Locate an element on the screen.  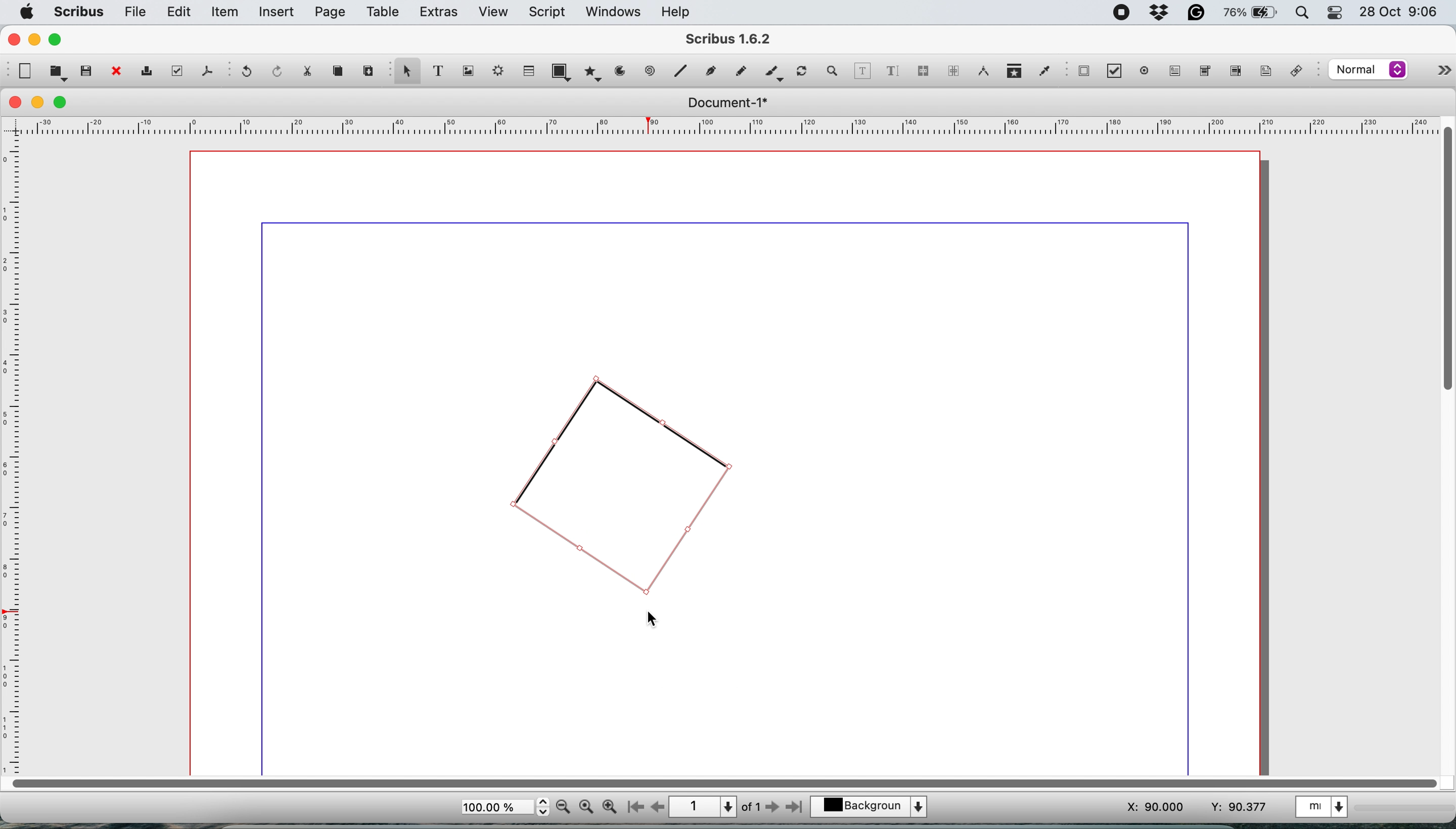
copy is located at coordinates (341, 73).